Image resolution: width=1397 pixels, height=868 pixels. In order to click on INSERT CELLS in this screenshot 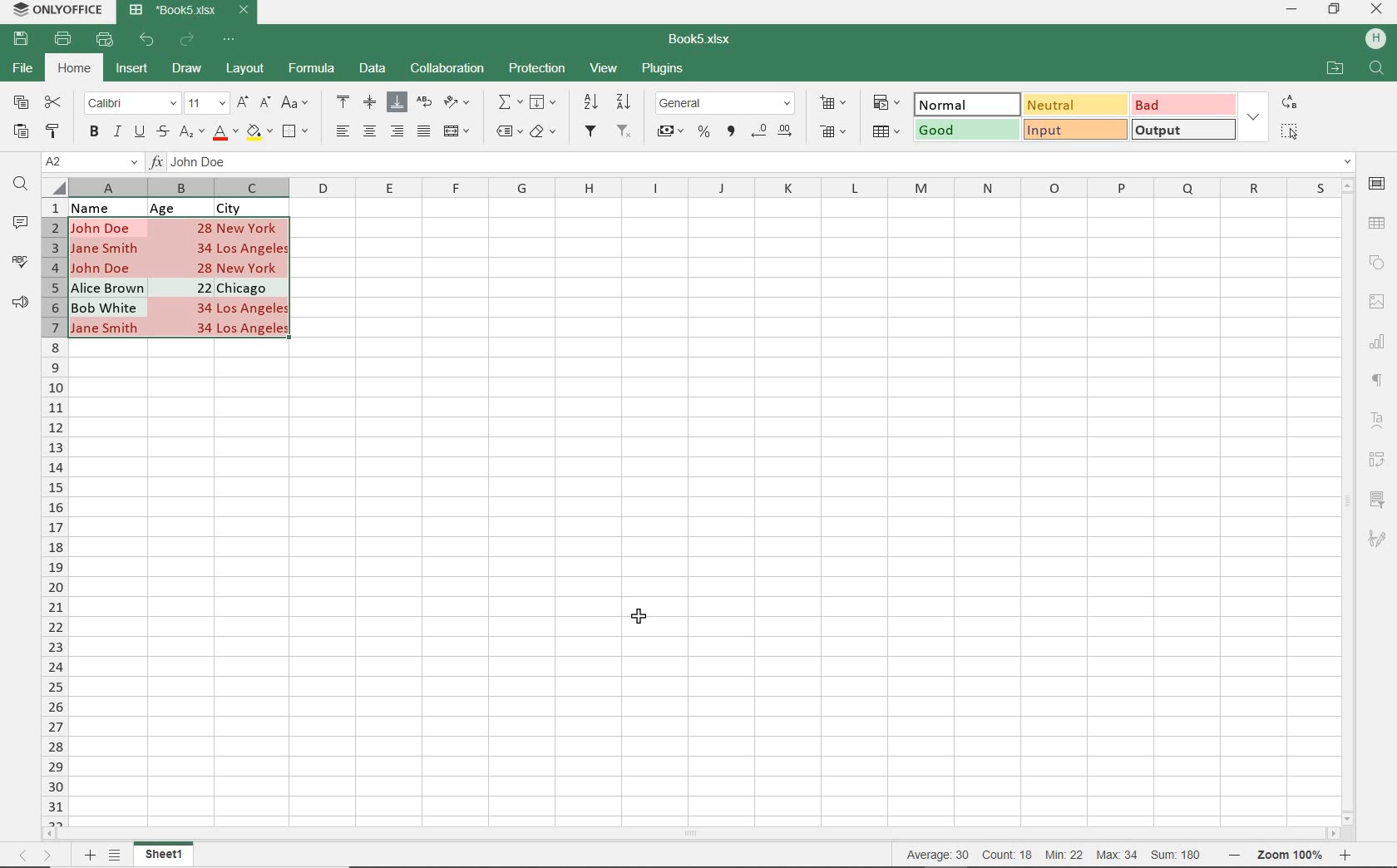, I will do `click(837, 101)`.